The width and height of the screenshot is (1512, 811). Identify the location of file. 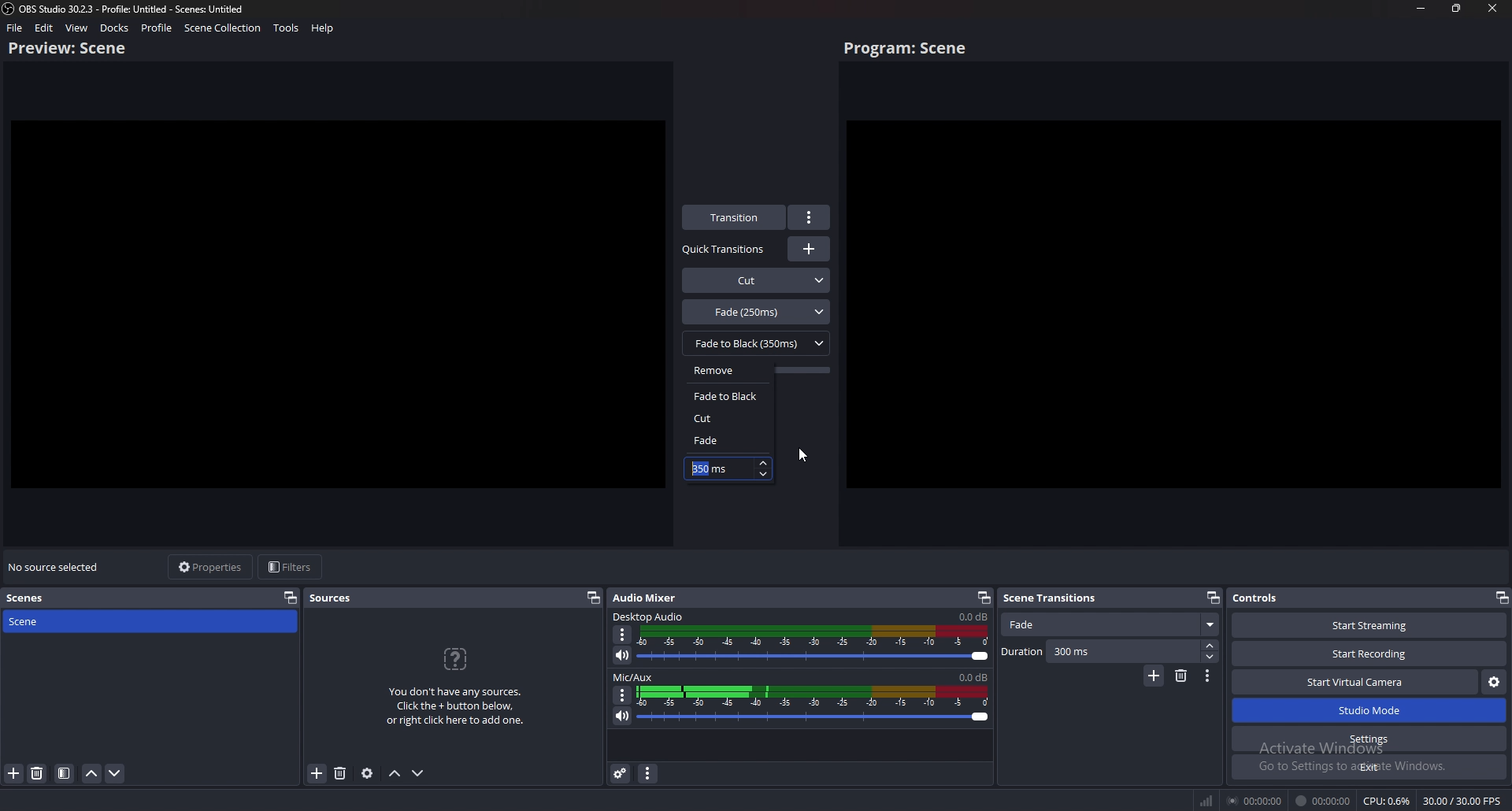
(16, 28).